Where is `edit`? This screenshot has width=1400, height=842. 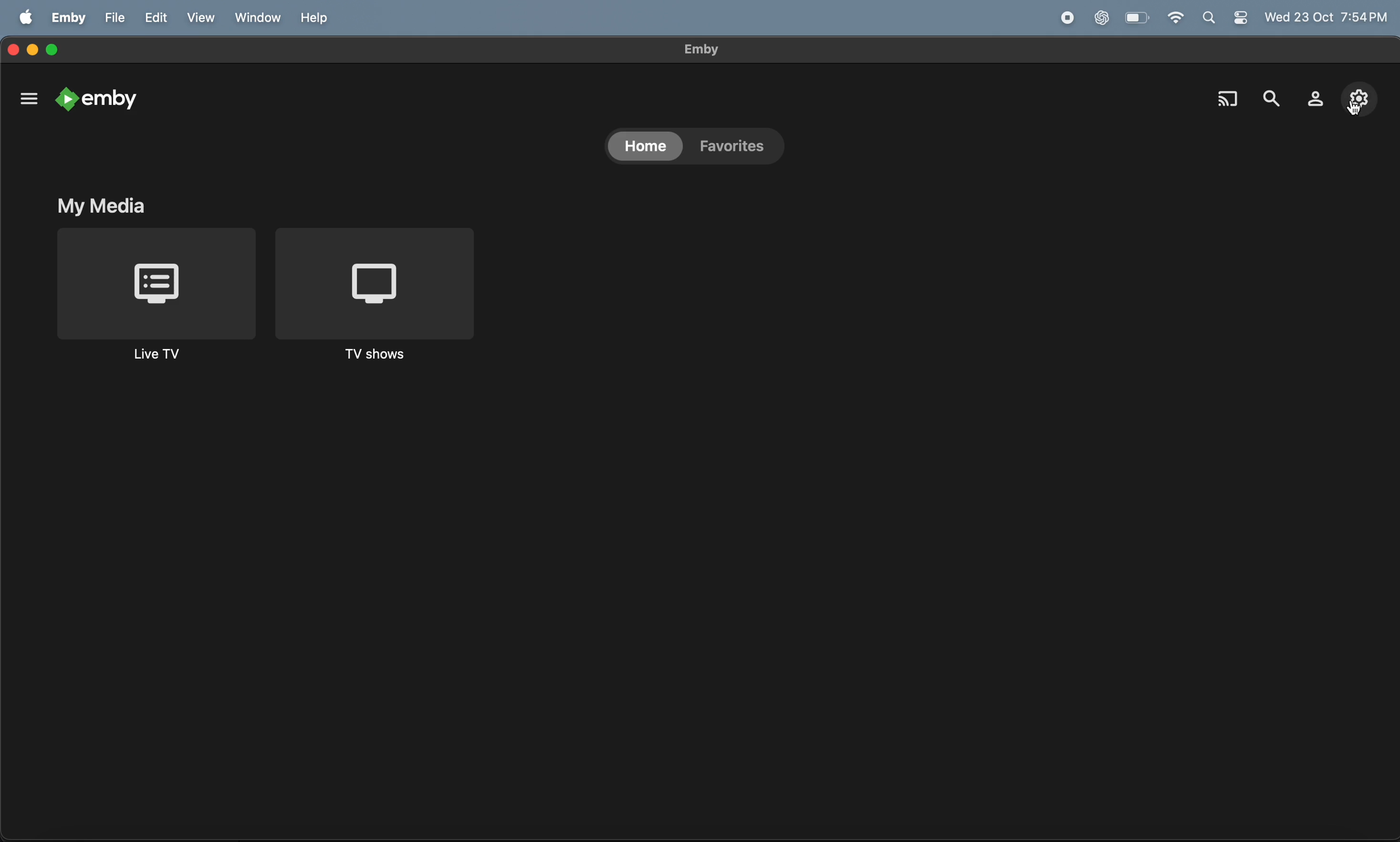
edit is located at coordinates (161, 18).